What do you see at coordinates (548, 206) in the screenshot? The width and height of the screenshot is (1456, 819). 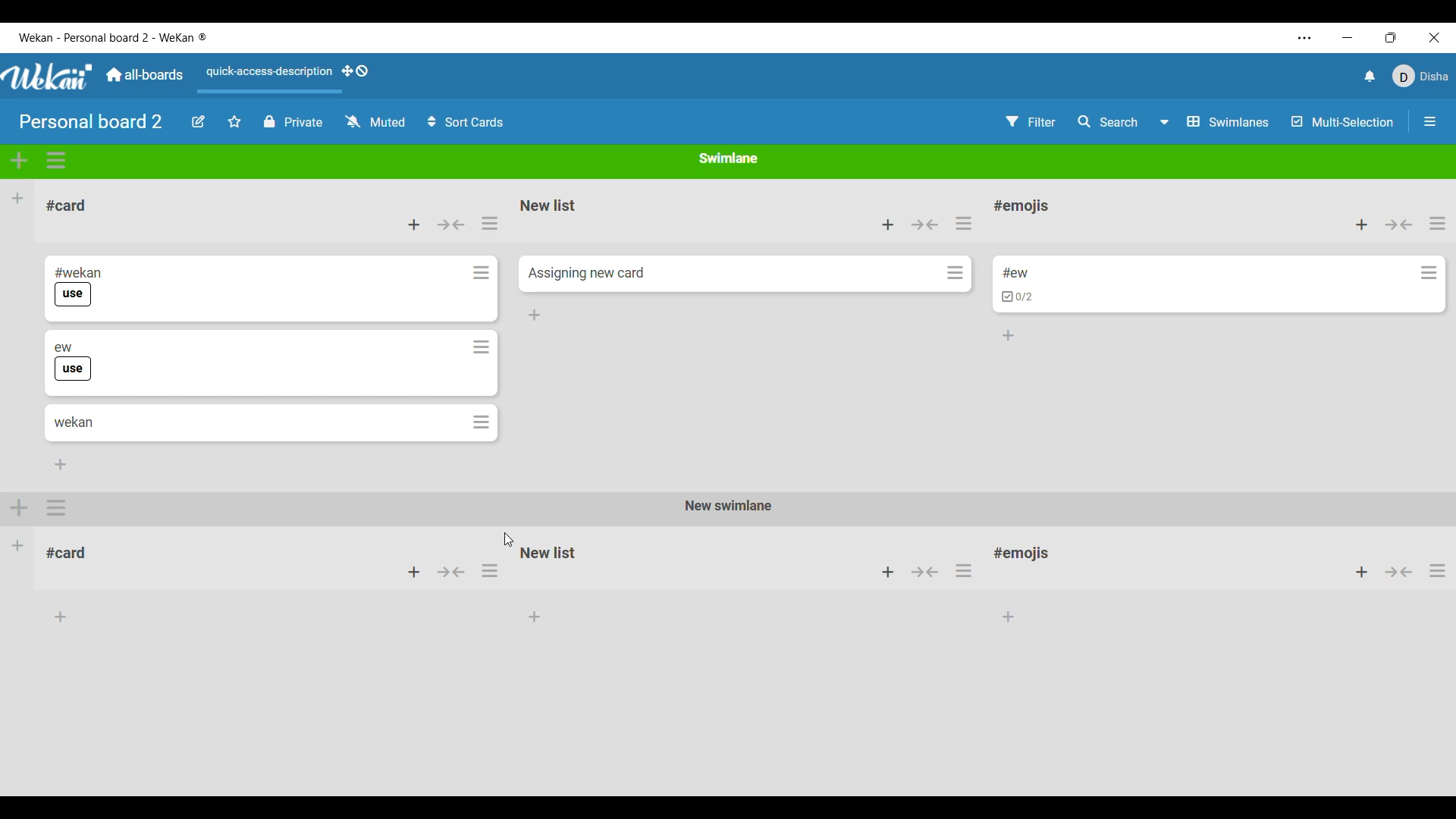 I see `List name` at bounding box center [548, 206].